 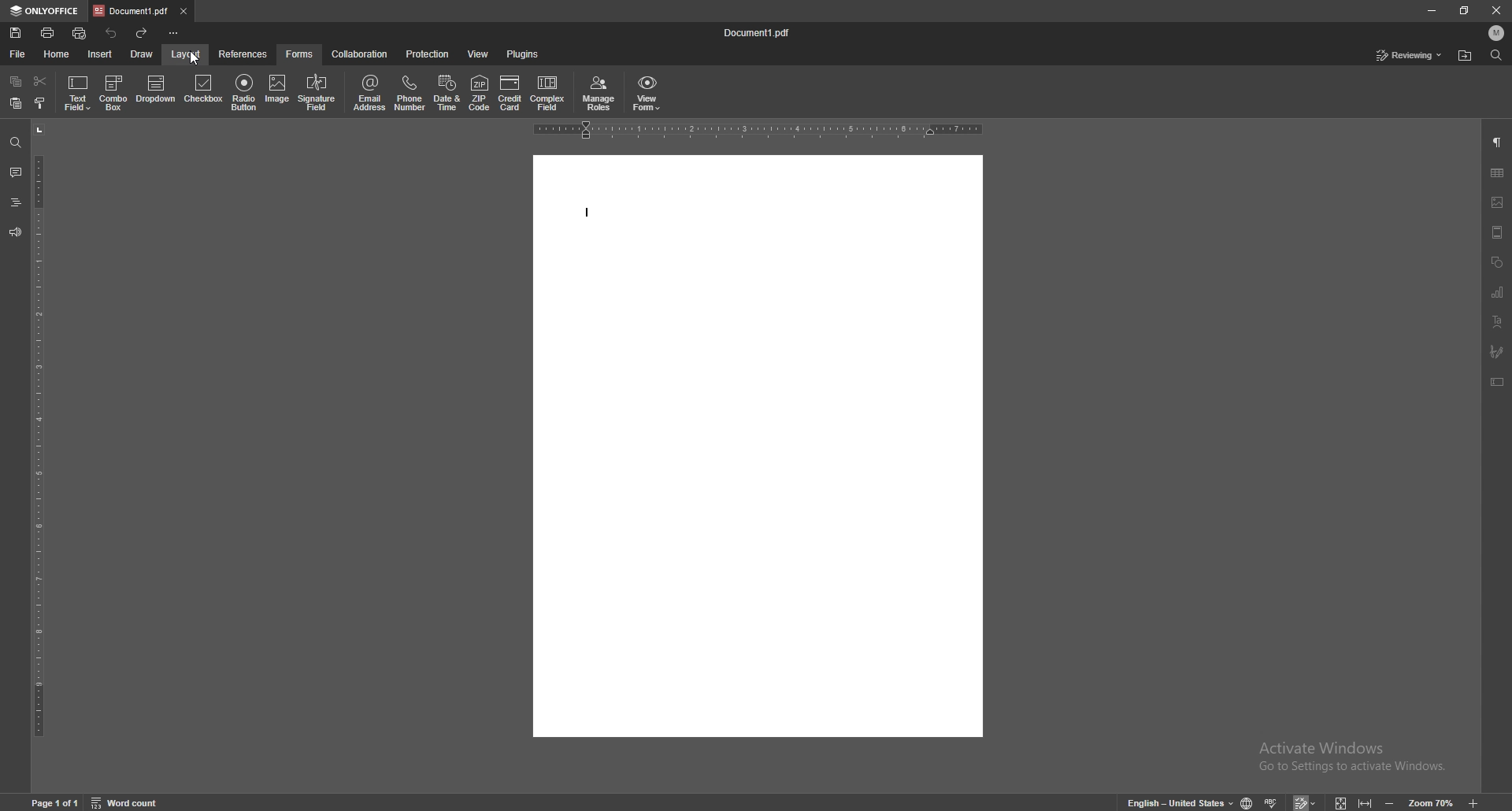 I want to click on paragraph, so click(x=1497, y=143).